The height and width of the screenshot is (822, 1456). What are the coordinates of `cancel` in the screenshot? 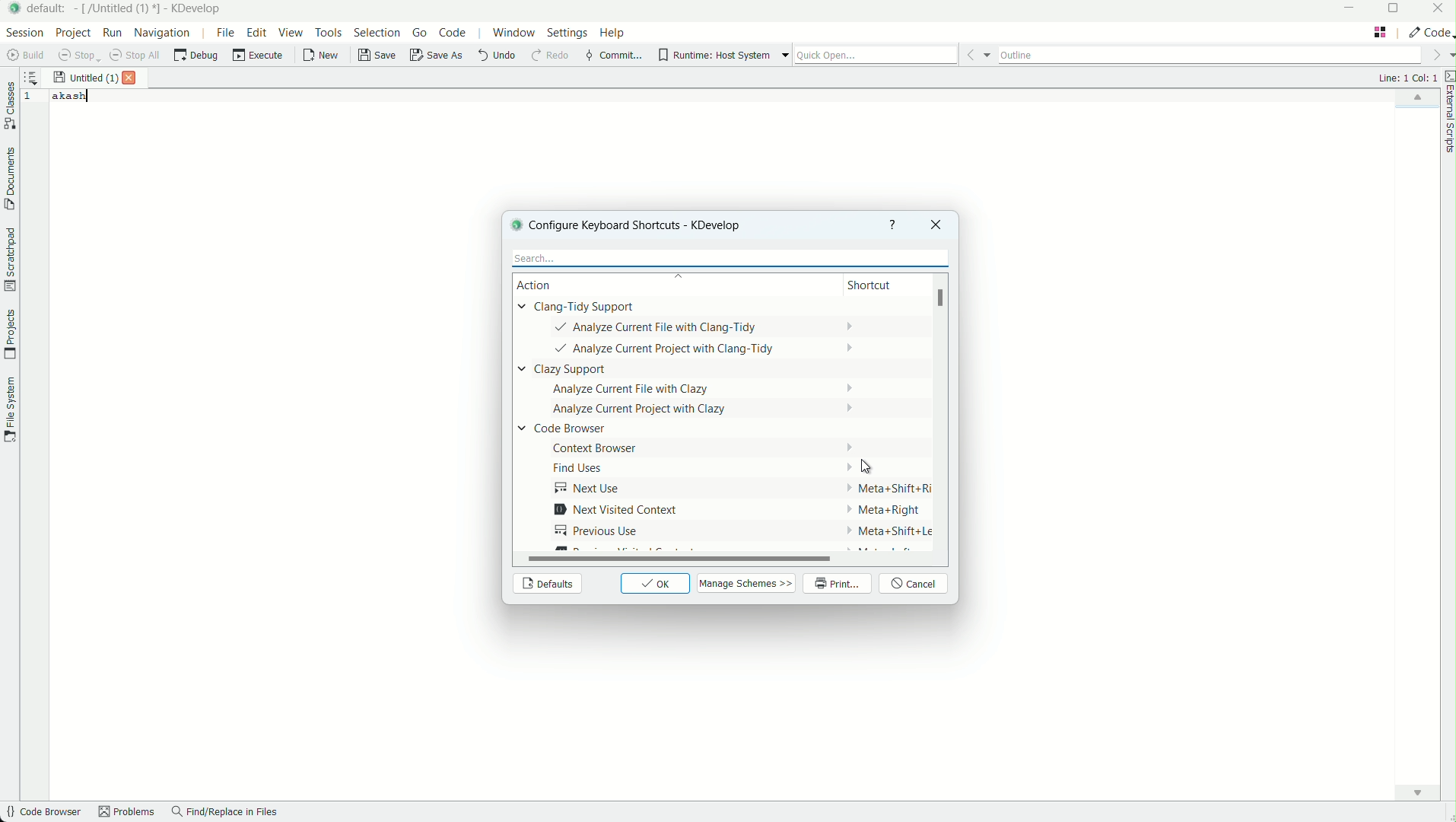 It's located at (915, 585).